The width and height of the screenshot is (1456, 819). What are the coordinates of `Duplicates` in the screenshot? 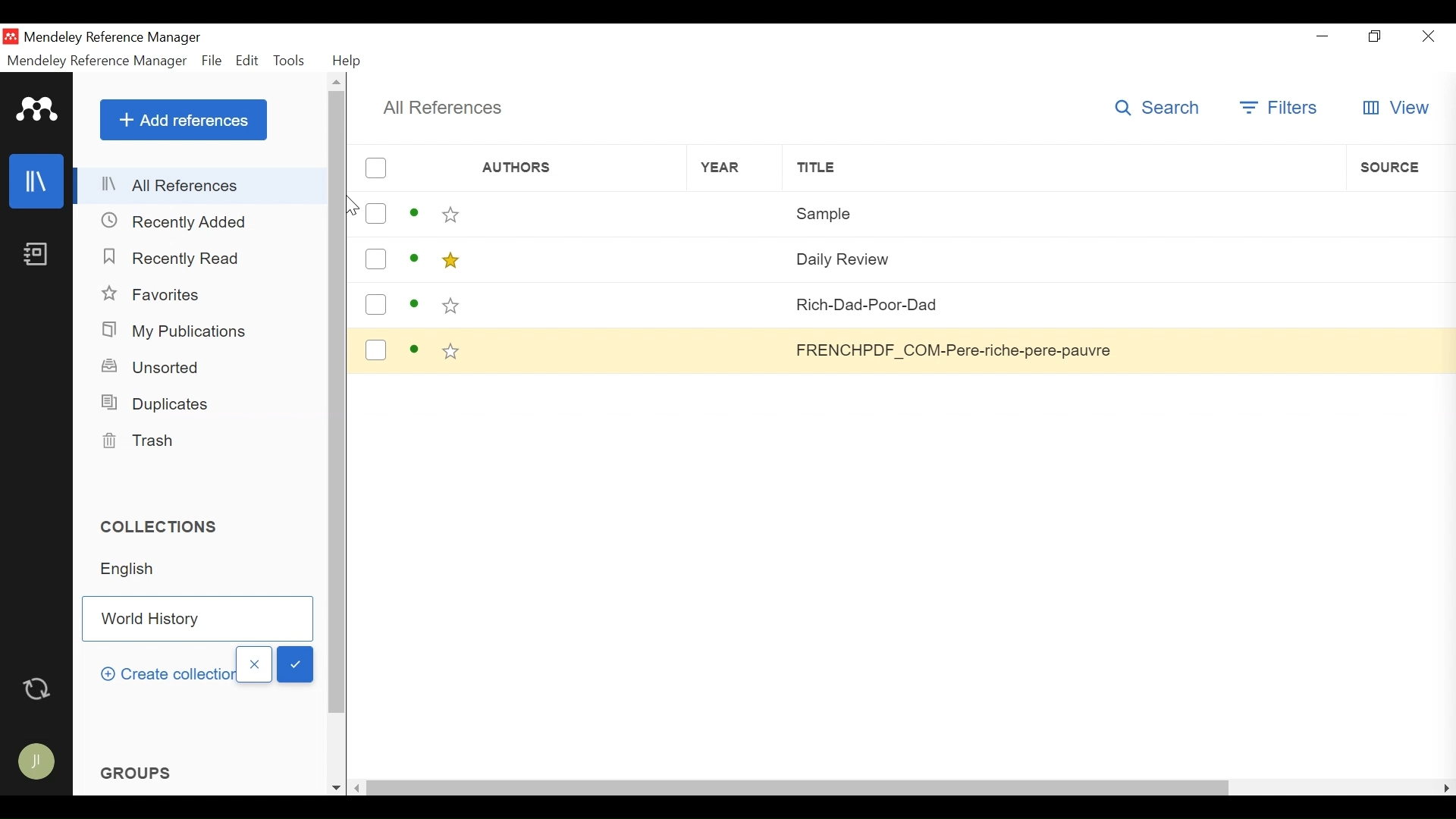 It's located at (154, 403).